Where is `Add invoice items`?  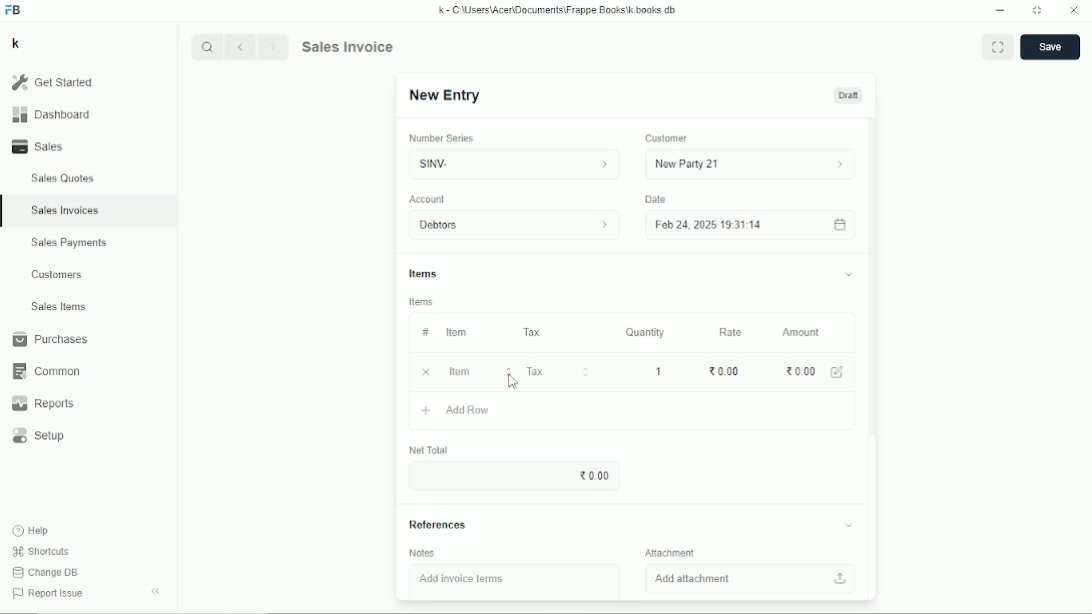 Add invoice items is located at coordinates (461, 580).